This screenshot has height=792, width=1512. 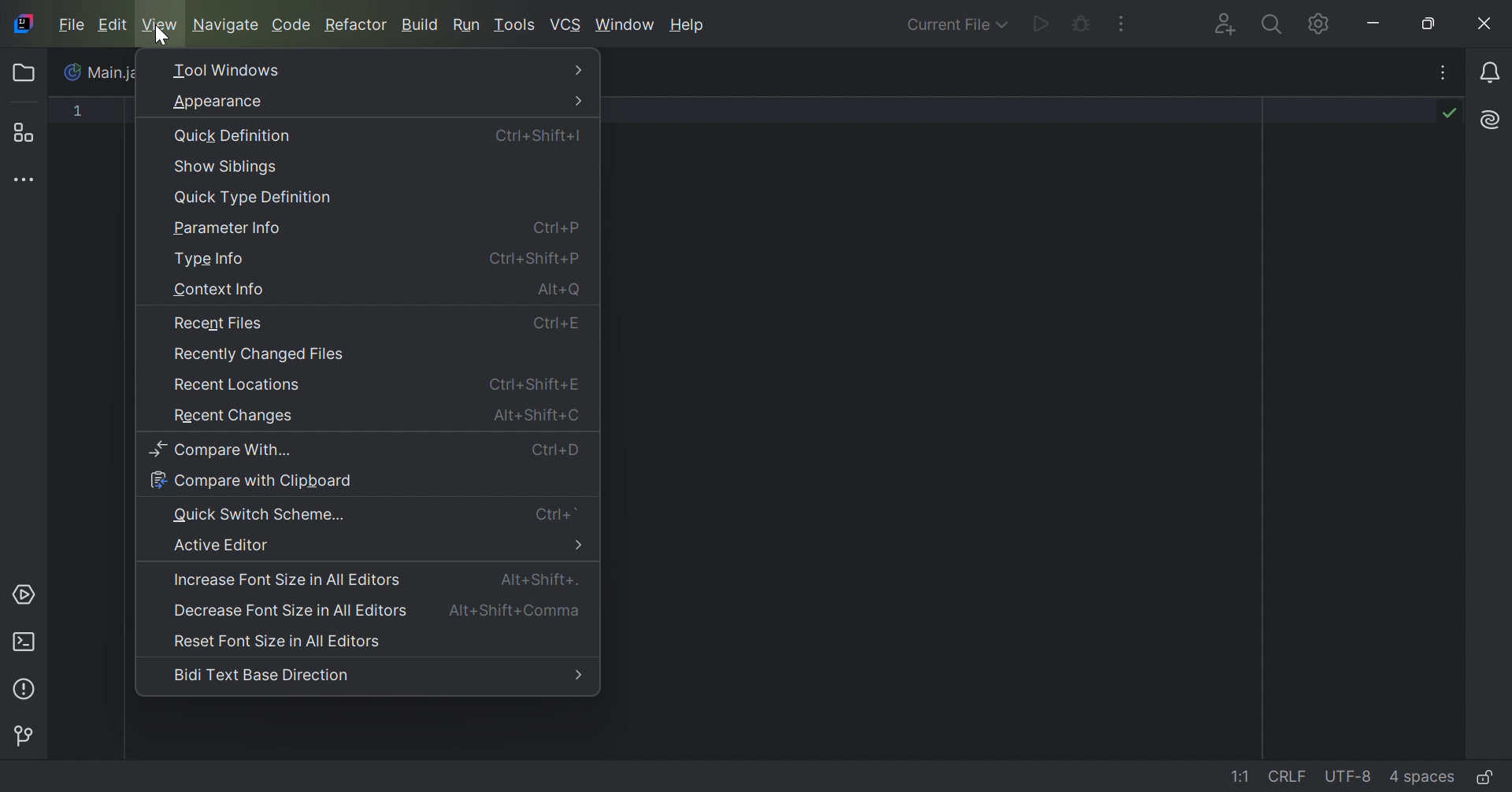 What do you see at coordinates (231, 229) in the screenshot?
I see `Parameter Info` at bounding box center [231, 229].